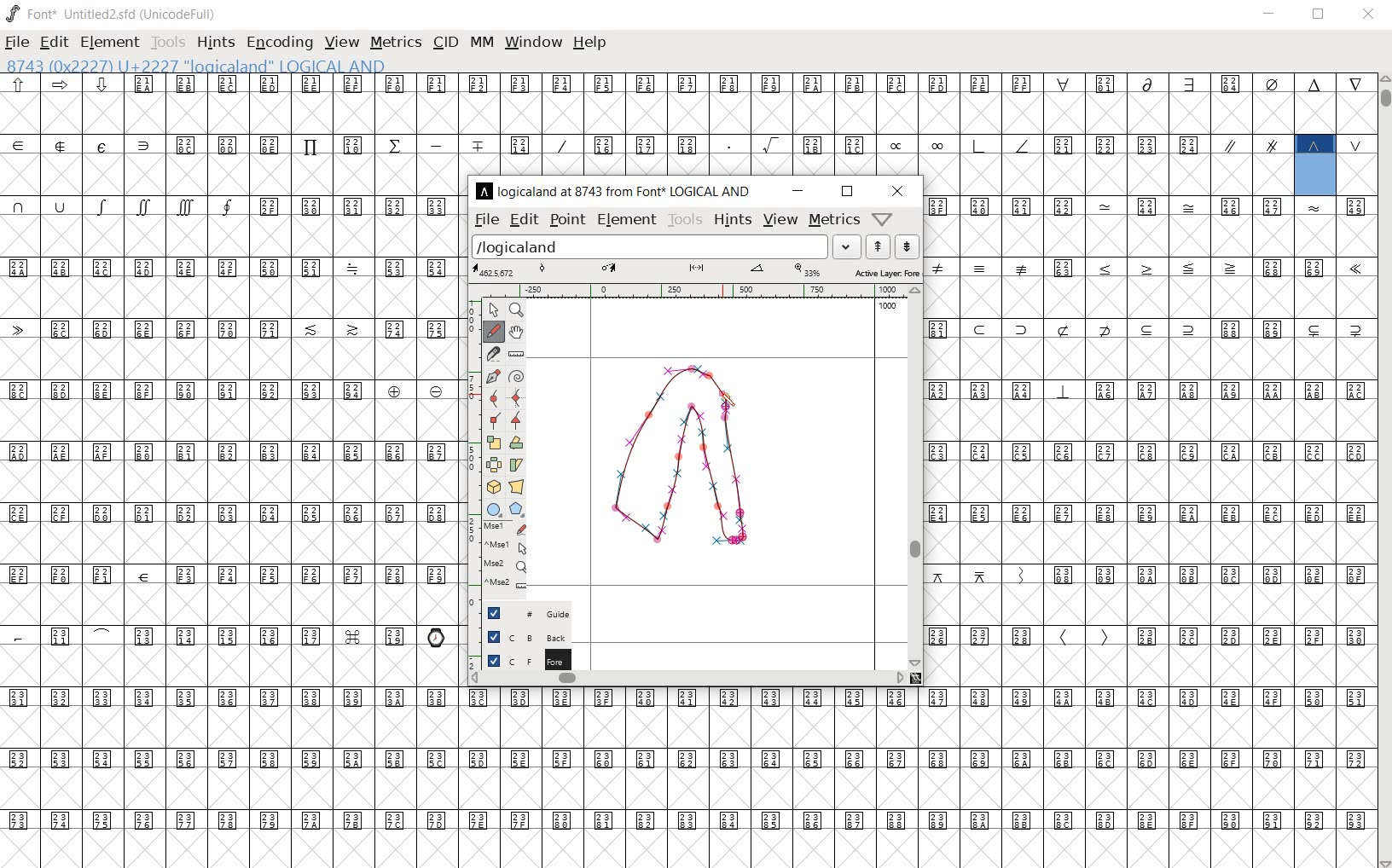 The height and width of the screenshot is (868, 1392). I want to click on cut splines in two, so click(493, 353).